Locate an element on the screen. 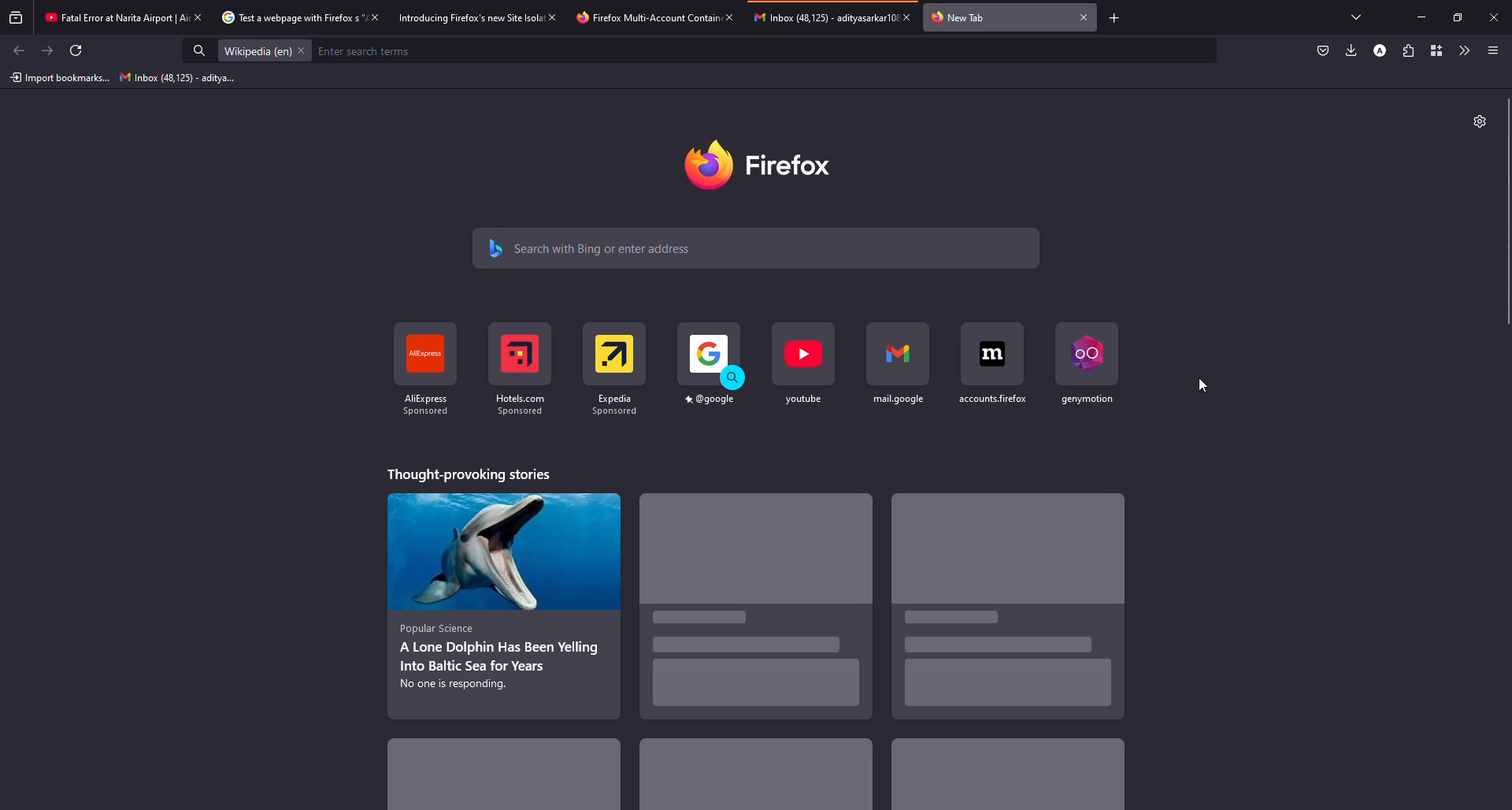 Image resolution: width=1512 pixels, height=810 pixels. new tab is located at coordinates (961, 17).